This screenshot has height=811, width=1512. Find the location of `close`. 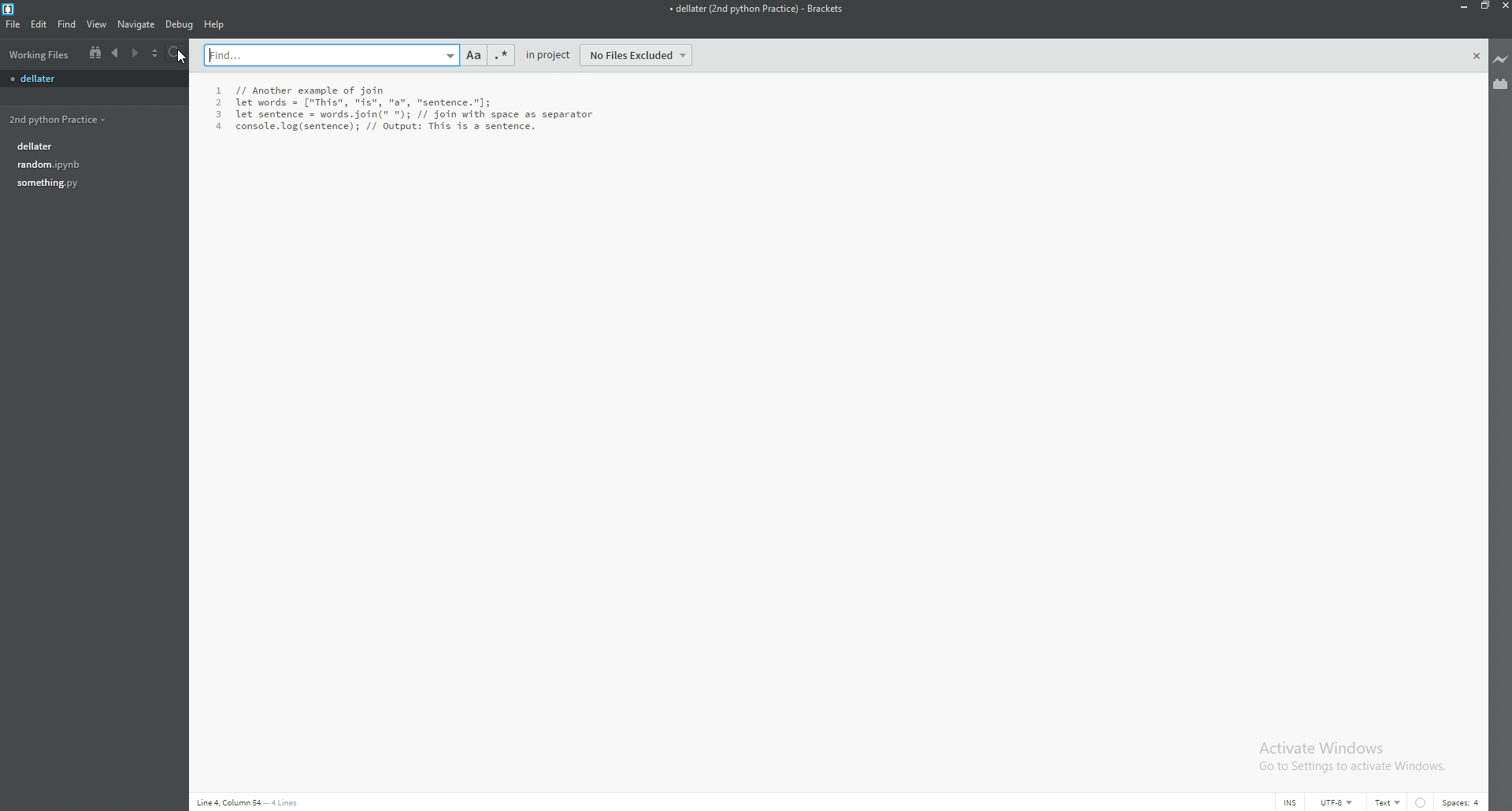

close is located at coordinates (1476, 56).